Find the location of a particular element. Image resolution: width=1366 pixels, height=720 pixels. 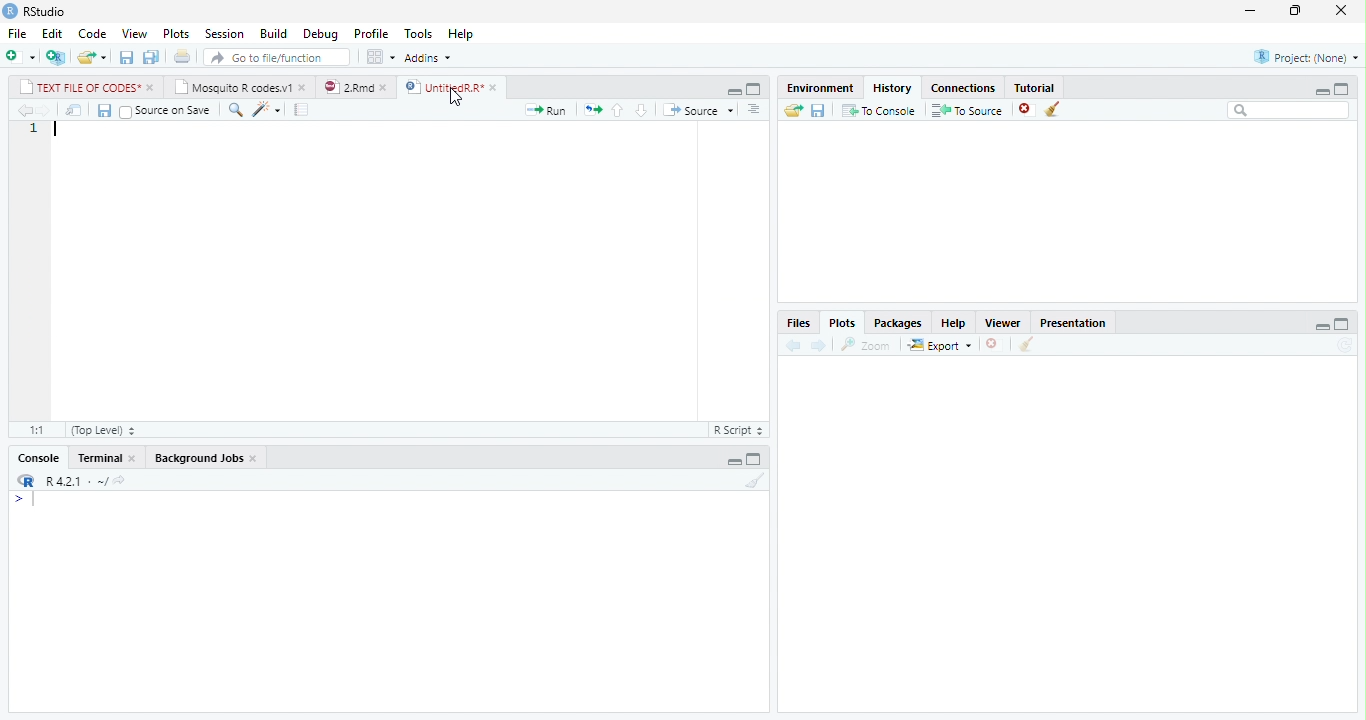

search is located at coordinates (1289, 110).